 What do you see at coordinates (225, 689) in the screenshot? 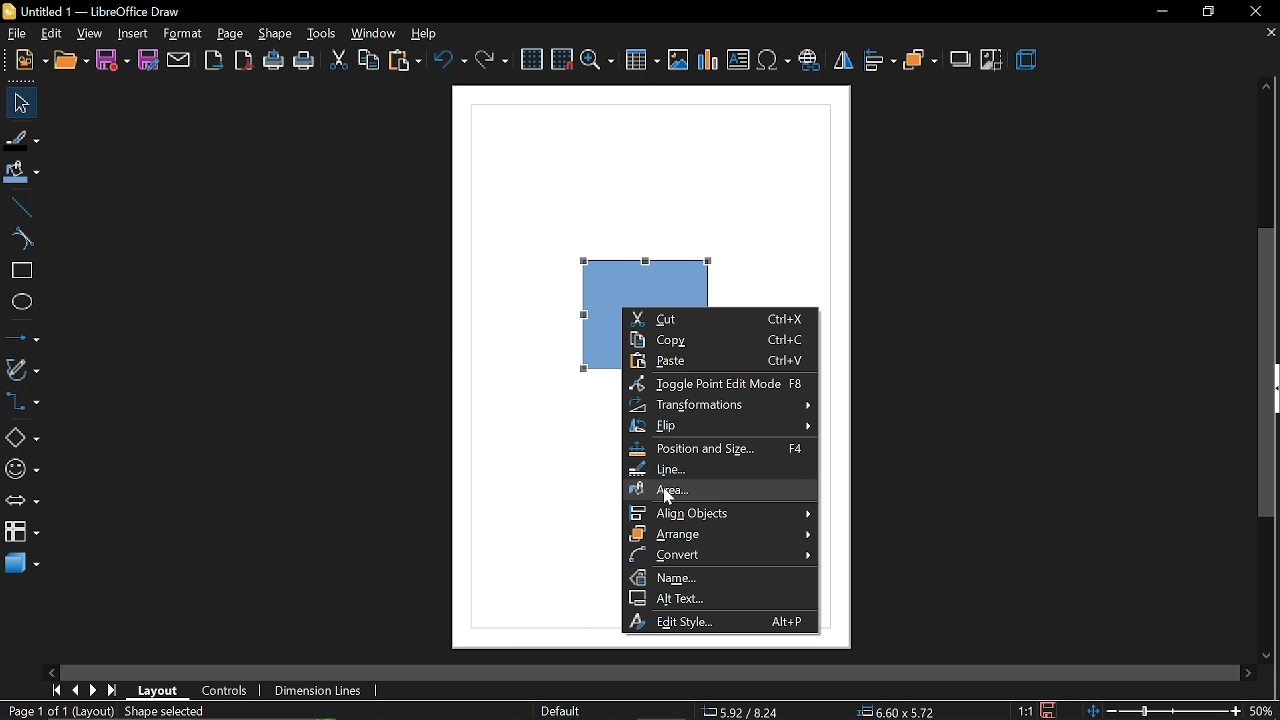
I see `controls` at bounding box center [225, 689].